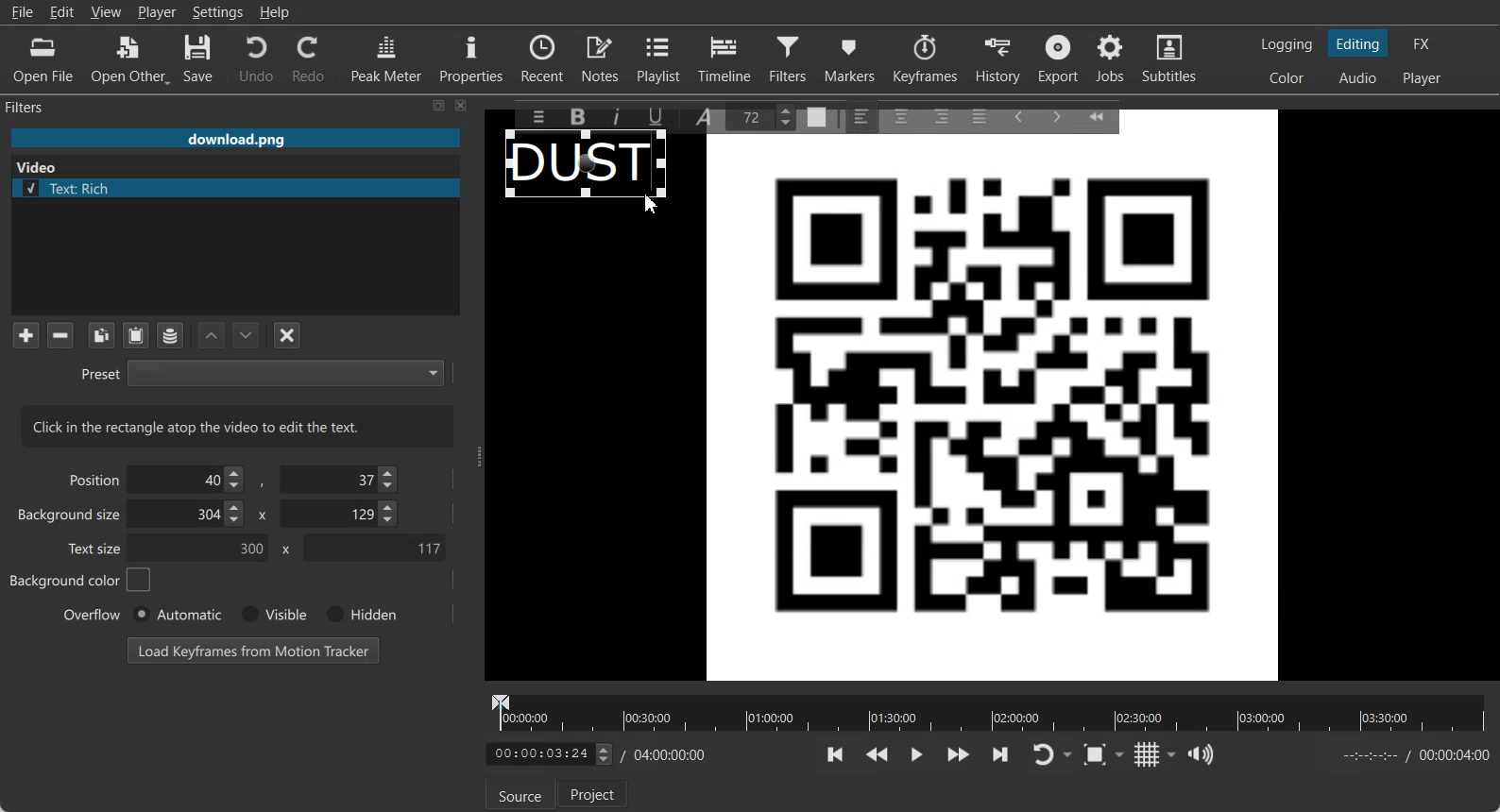  What do you see at coordinates (940, 115) in the screenshot?
I see `Right` at bounding box center [940, 115].